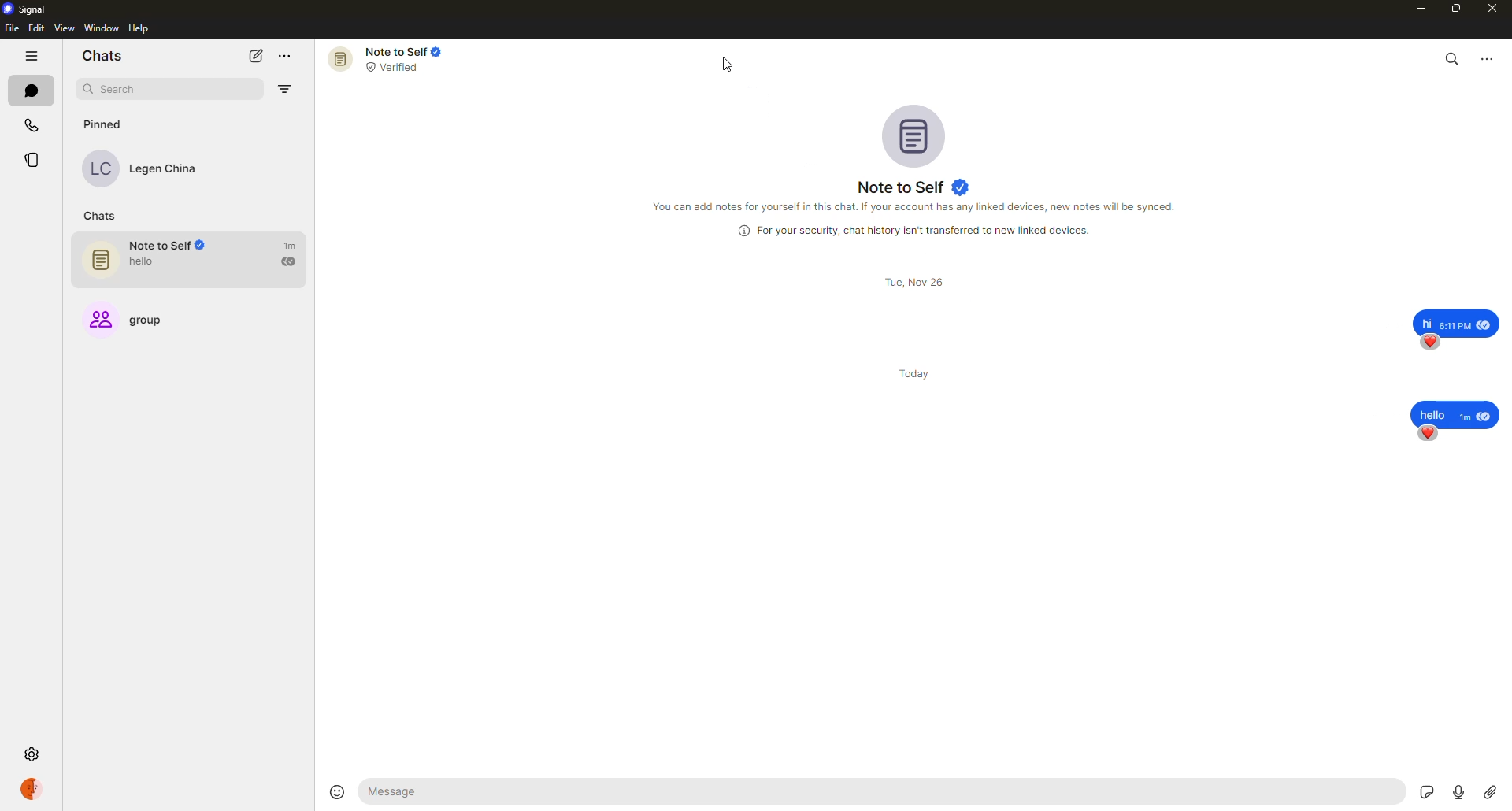 The height and width of the screenshot is (811, 1512). What do you see at coordinates (31, 57) in the screenshot?
I see `hide tabs` at bounding box center [31, 57].